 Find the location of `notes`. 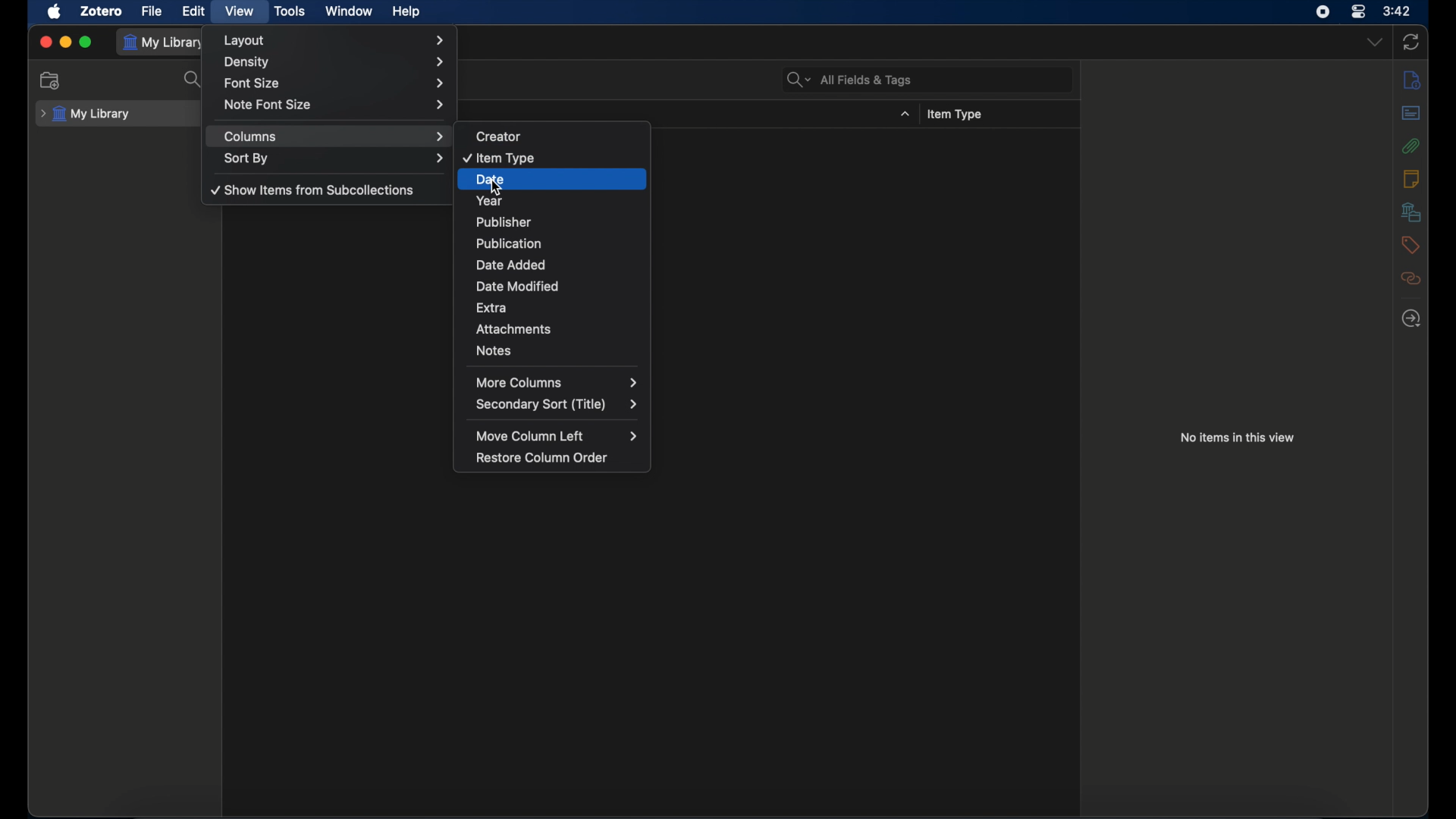

notes is located at coordinates (557, 352).